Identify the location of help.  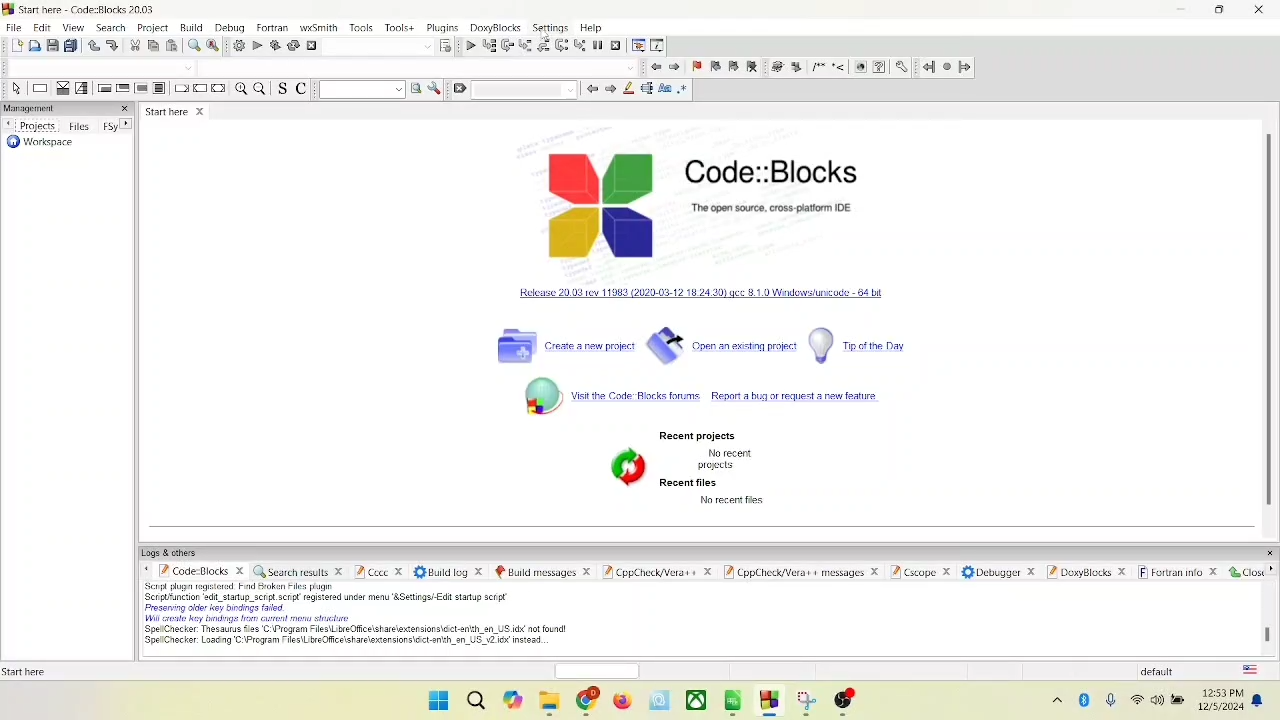
(880, 66).